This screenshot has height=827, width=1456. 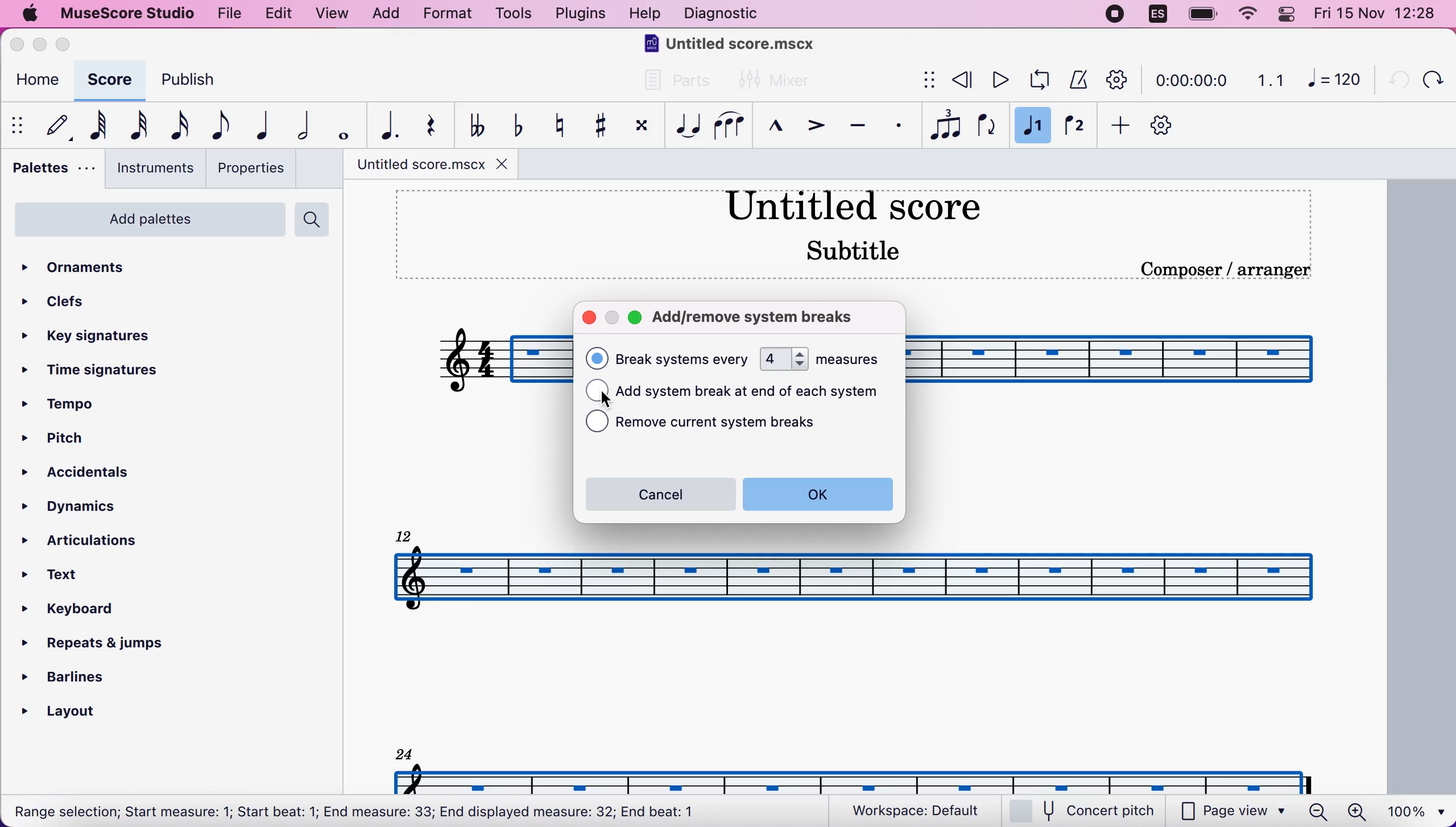 What do you see at coordinates (20, 46) in the screenshot?
I see `close` at bounding box center [20, 46].